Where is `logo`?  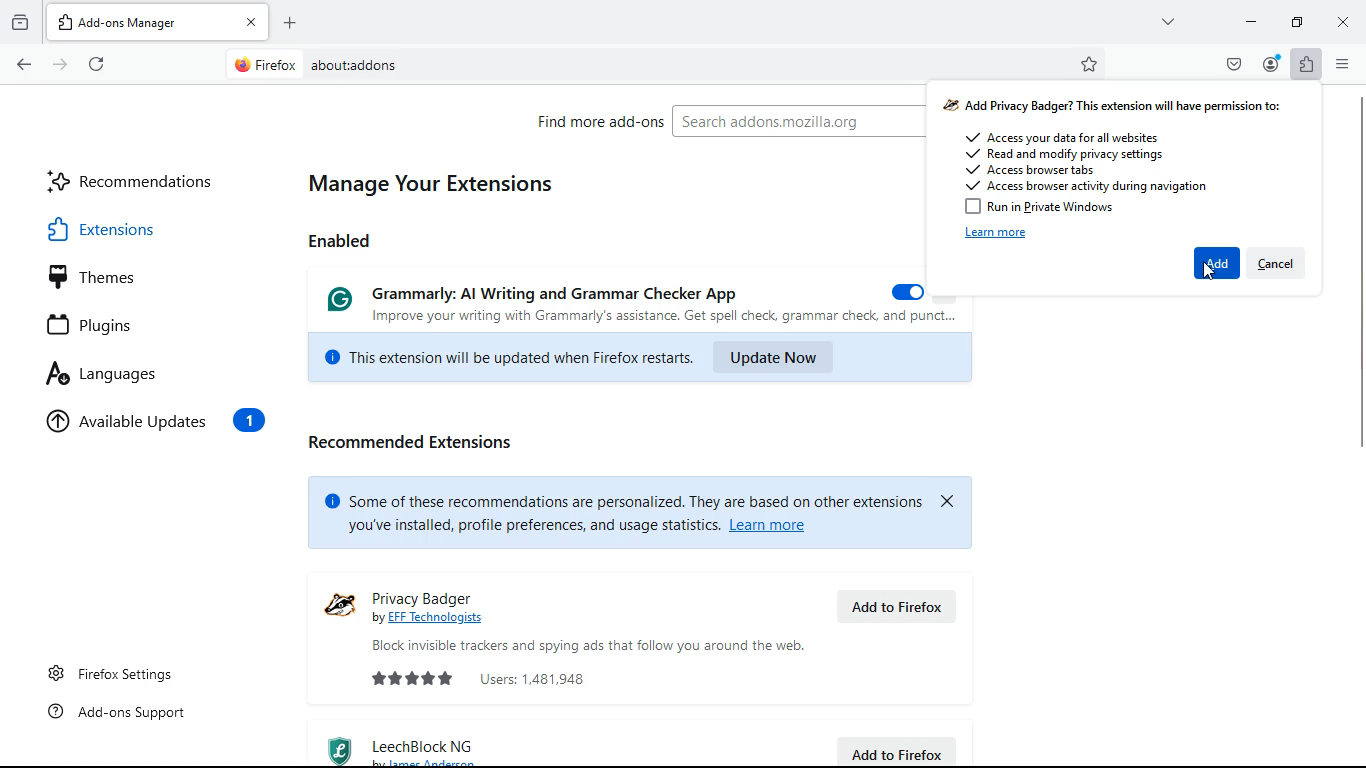 logo is located at coordinates (342, 749).